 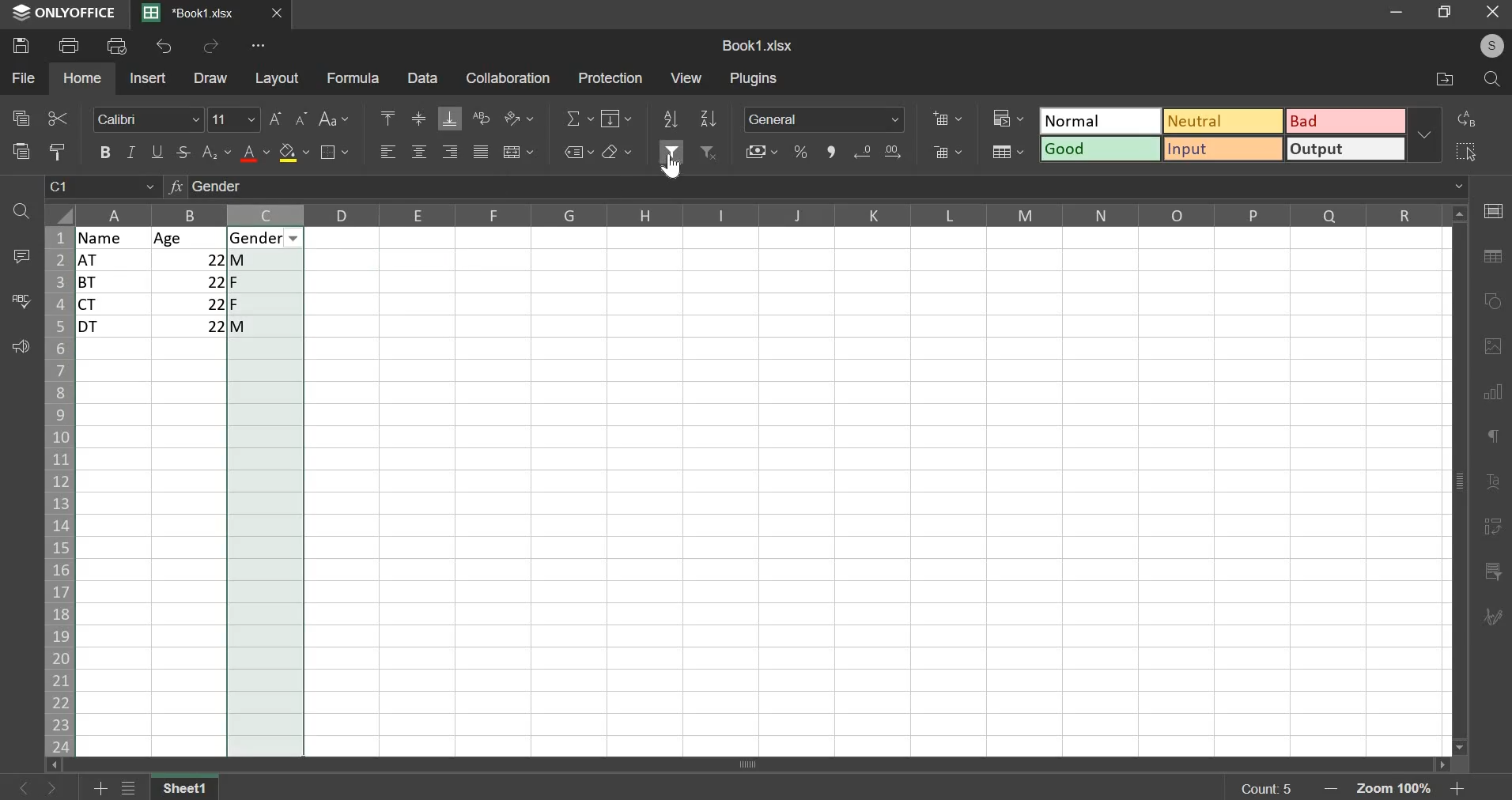 What do you see at coordinates (217, 152) in the screenshot?
I see `superset/subset` at bounding box center [217, 152].